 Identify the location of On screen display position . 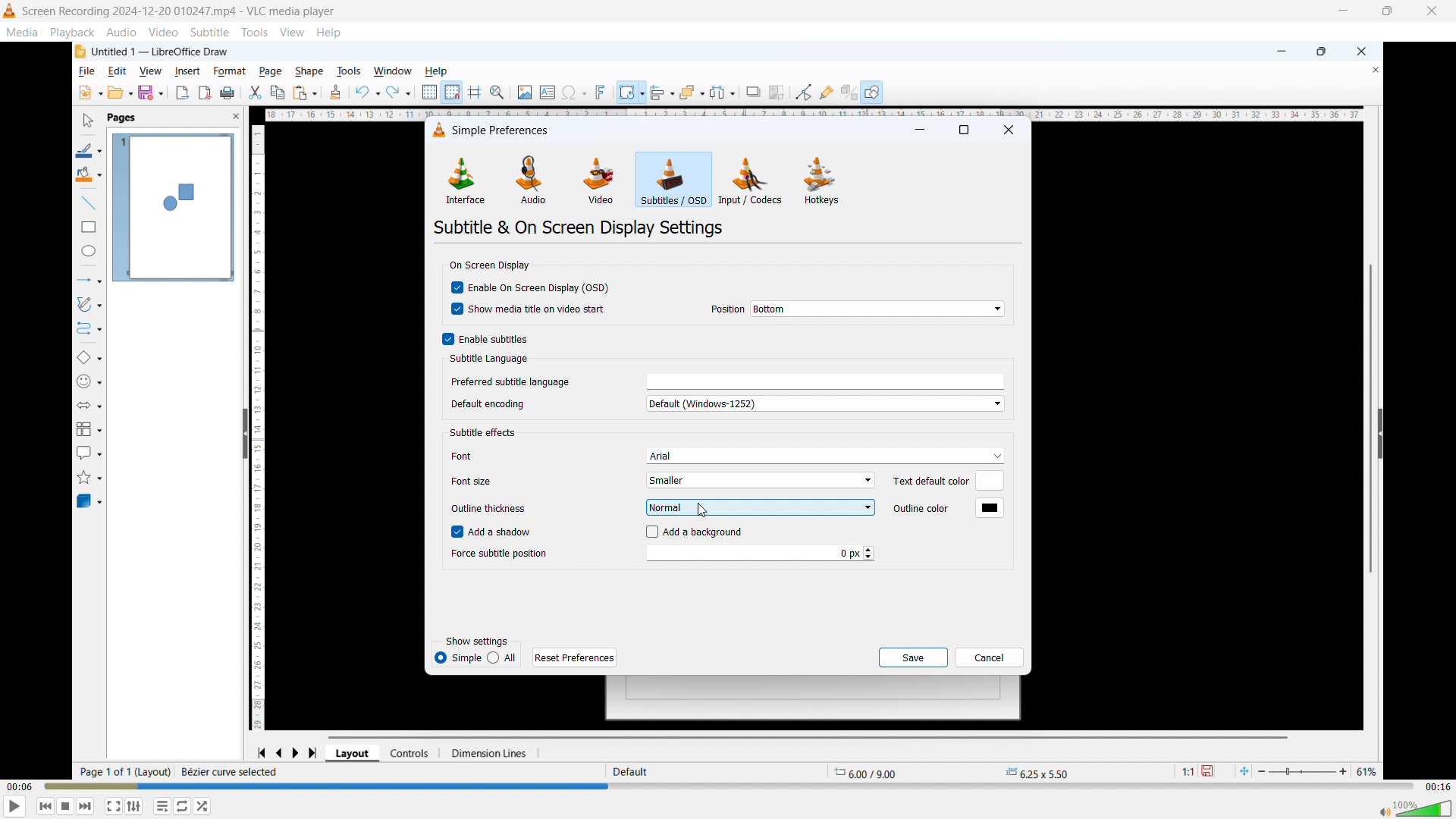
(875, 309).